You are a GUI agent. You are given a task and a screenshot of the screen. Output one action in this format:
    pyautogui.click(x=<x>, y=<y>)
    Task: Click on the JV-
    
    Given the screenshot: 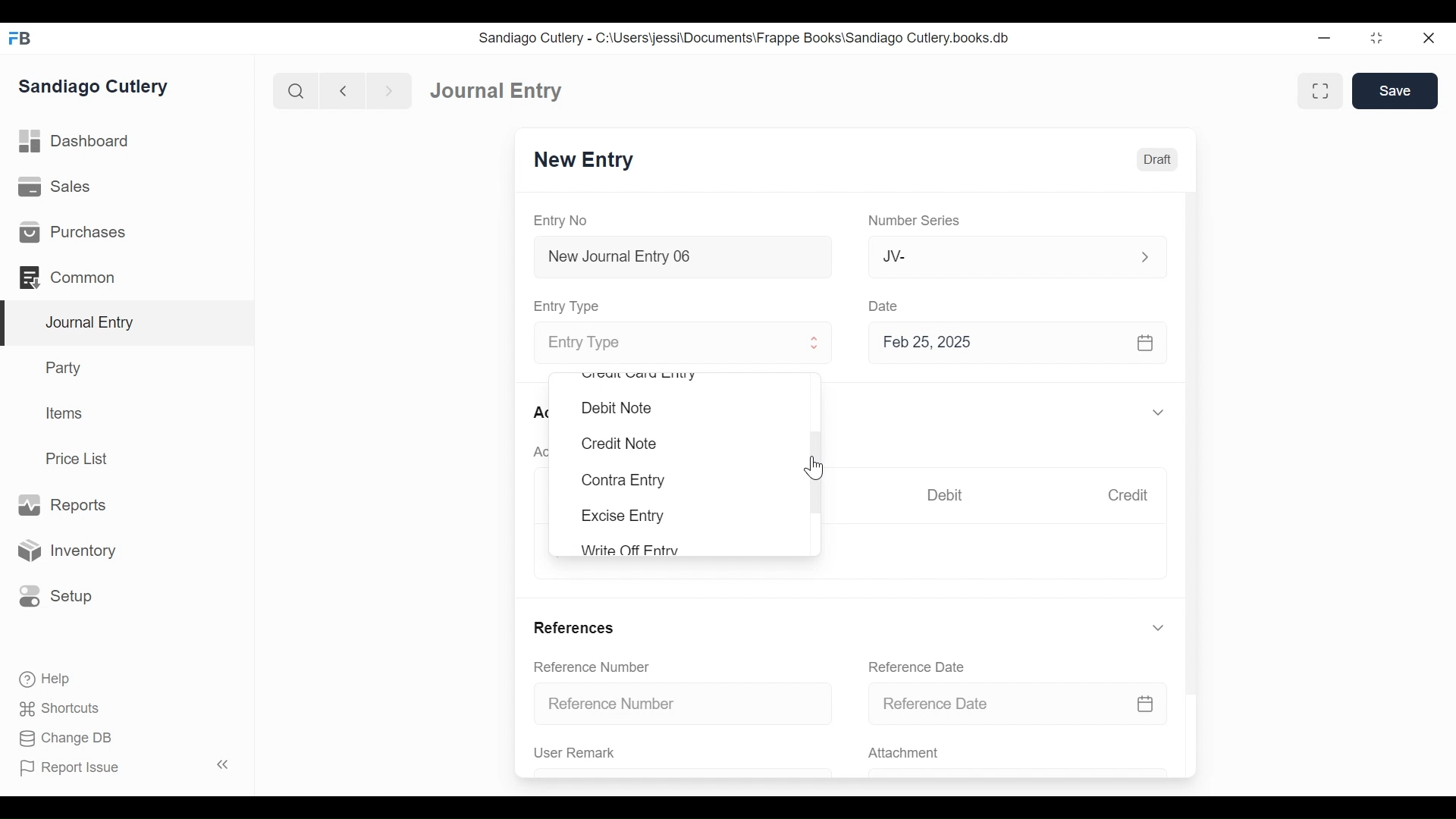 What is the action you would take?
    pyautogui.click(x=999, y=255)
    